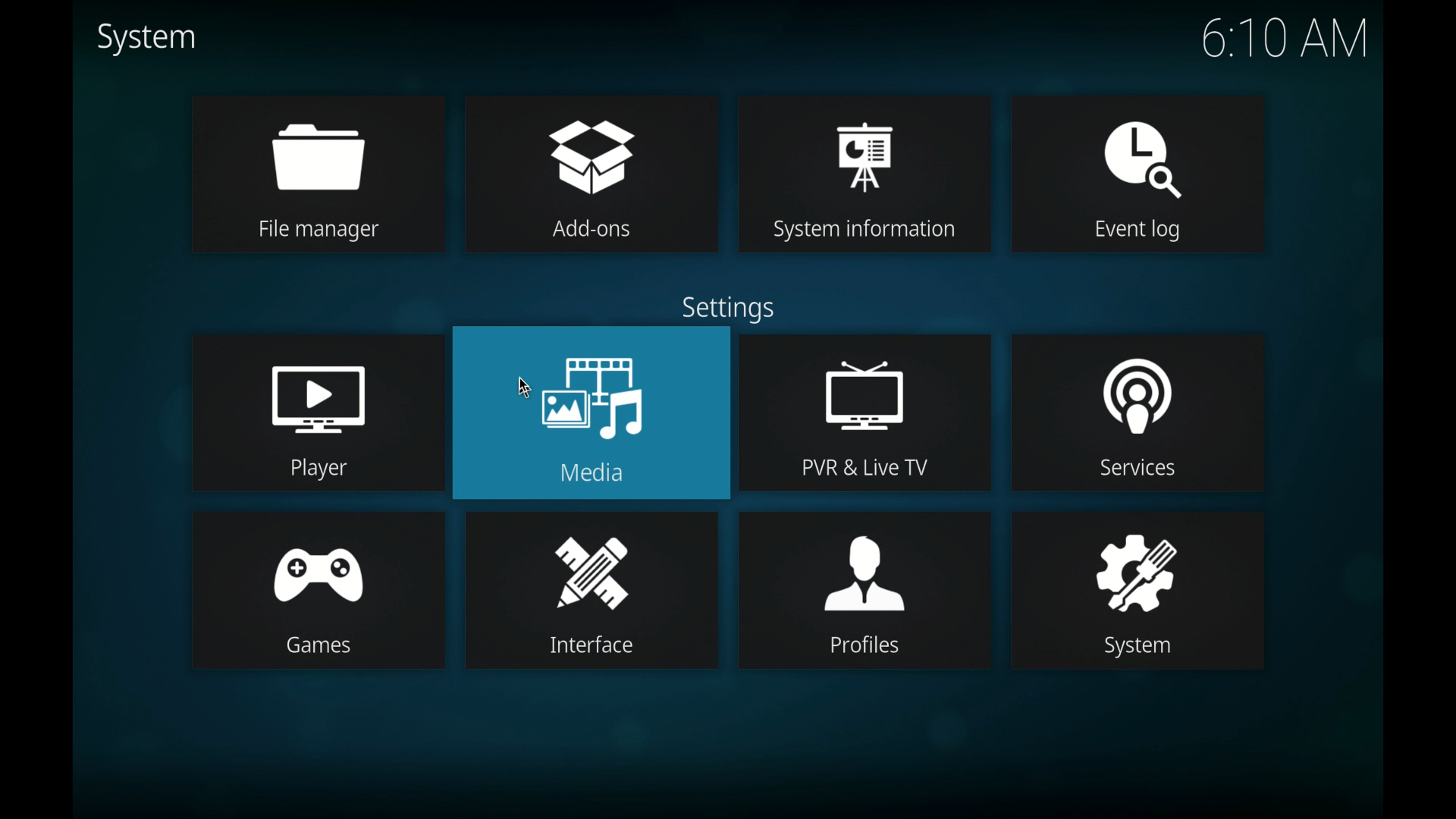 The image size is (1456, 819). What do you see at coordinates (723, 306) in the screenshot?
I see `` at bounding box center [723, 306].